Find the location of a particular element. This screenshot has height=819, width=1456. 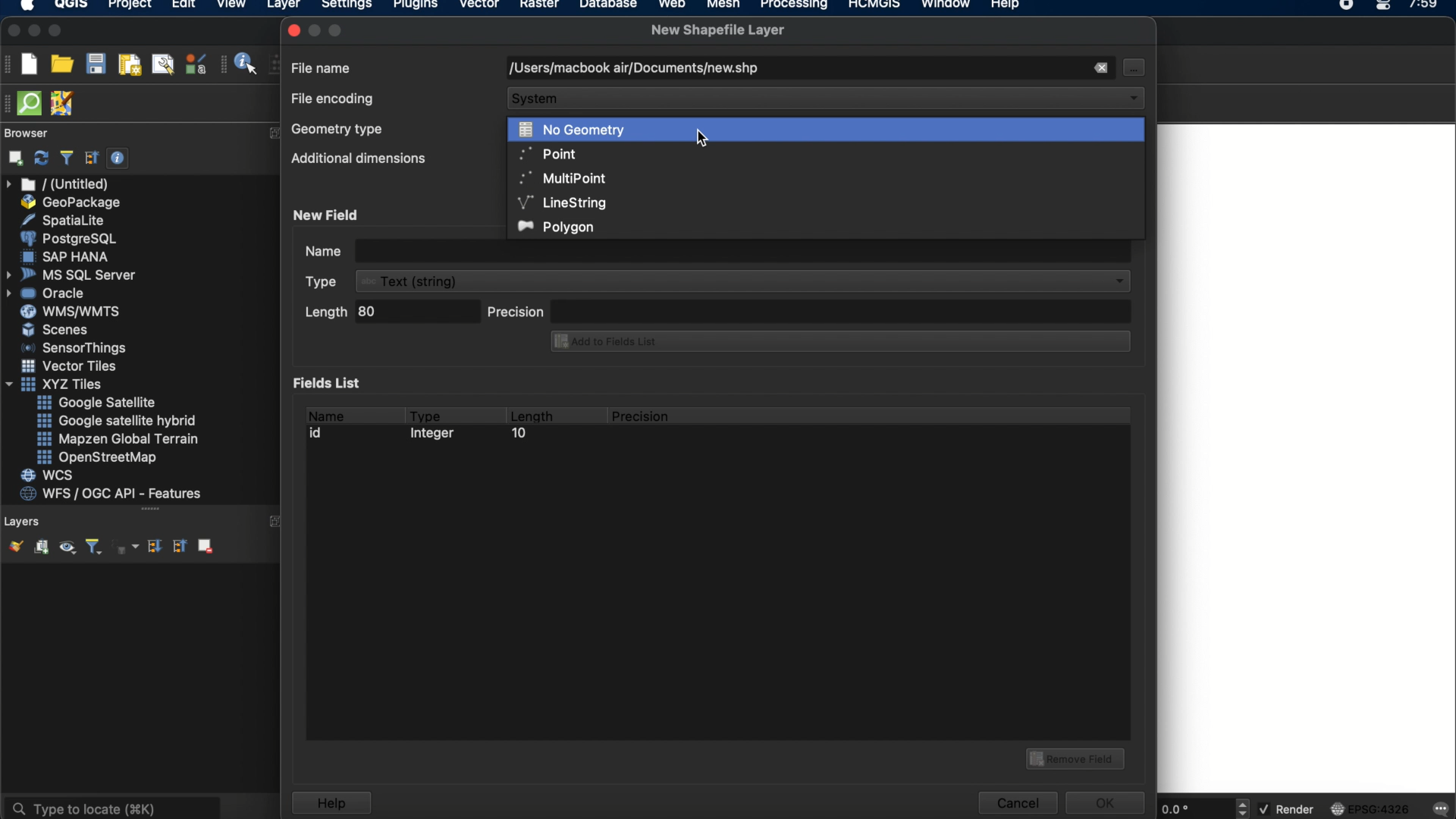

id is located at coordinates (320, 433).